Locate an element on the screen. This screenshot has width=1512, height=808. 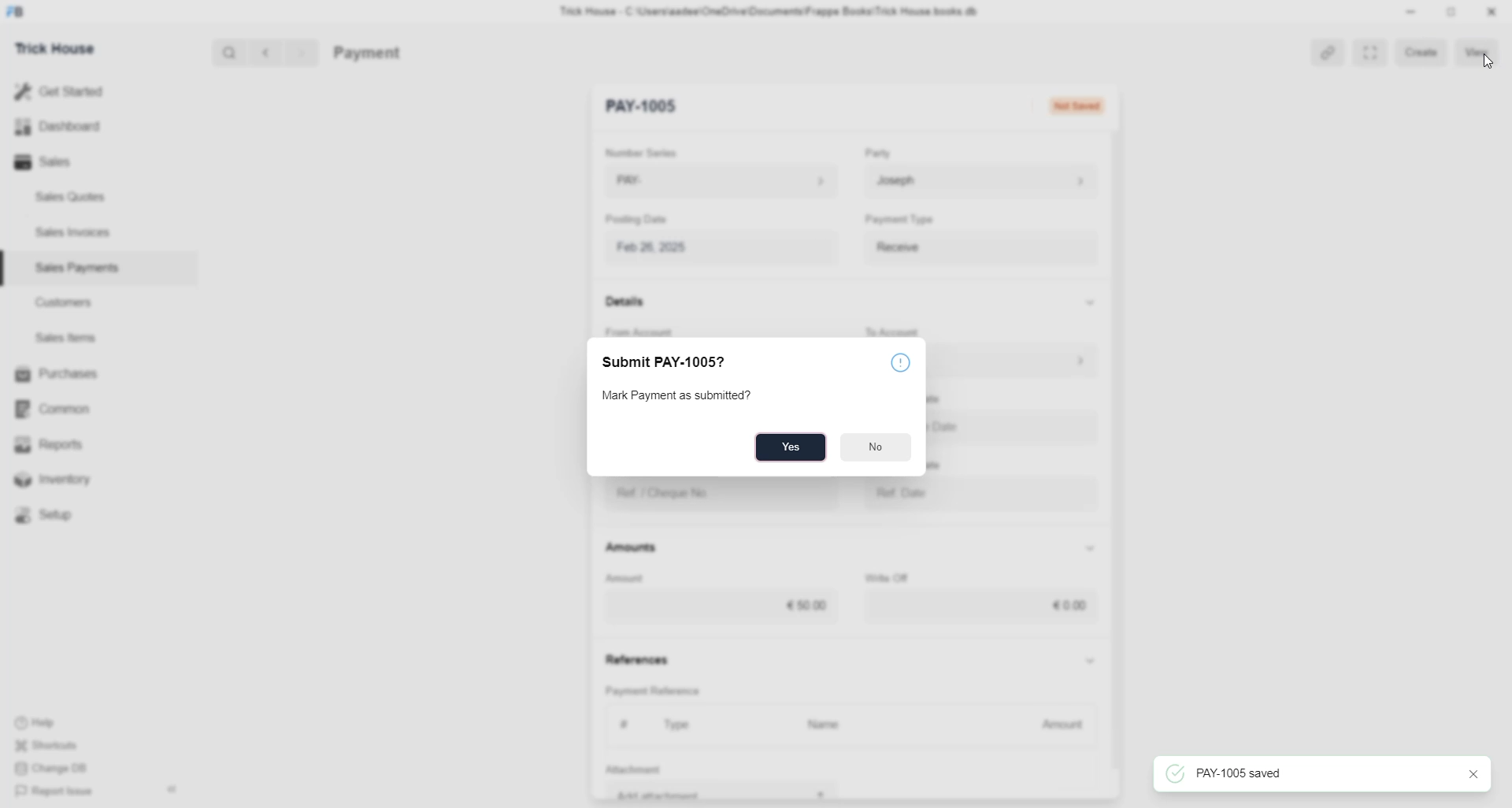
Customers is located at coordinates (69, 302).